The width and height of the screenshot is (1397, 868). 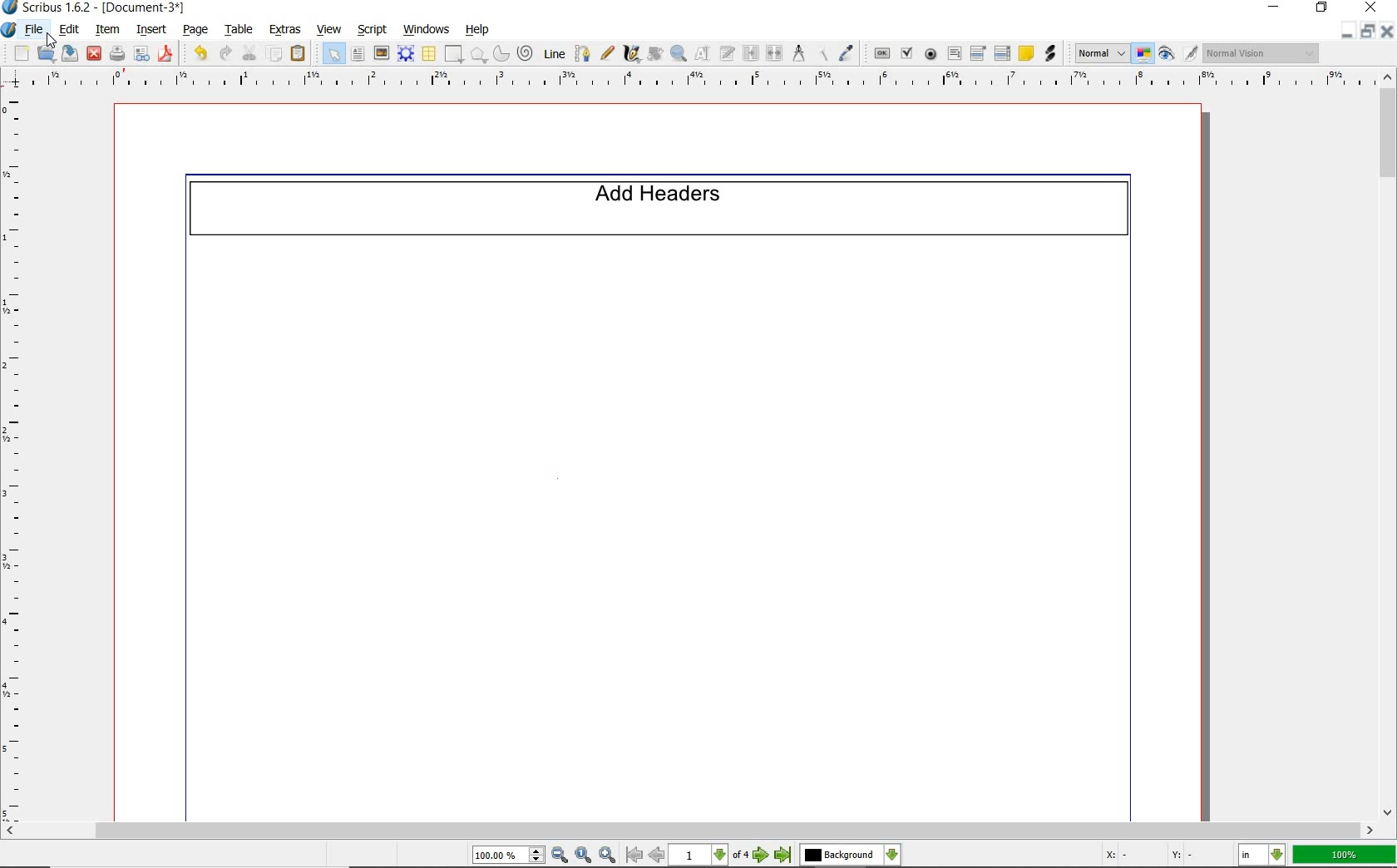 I want to click on script, so click(x=373, y=29).